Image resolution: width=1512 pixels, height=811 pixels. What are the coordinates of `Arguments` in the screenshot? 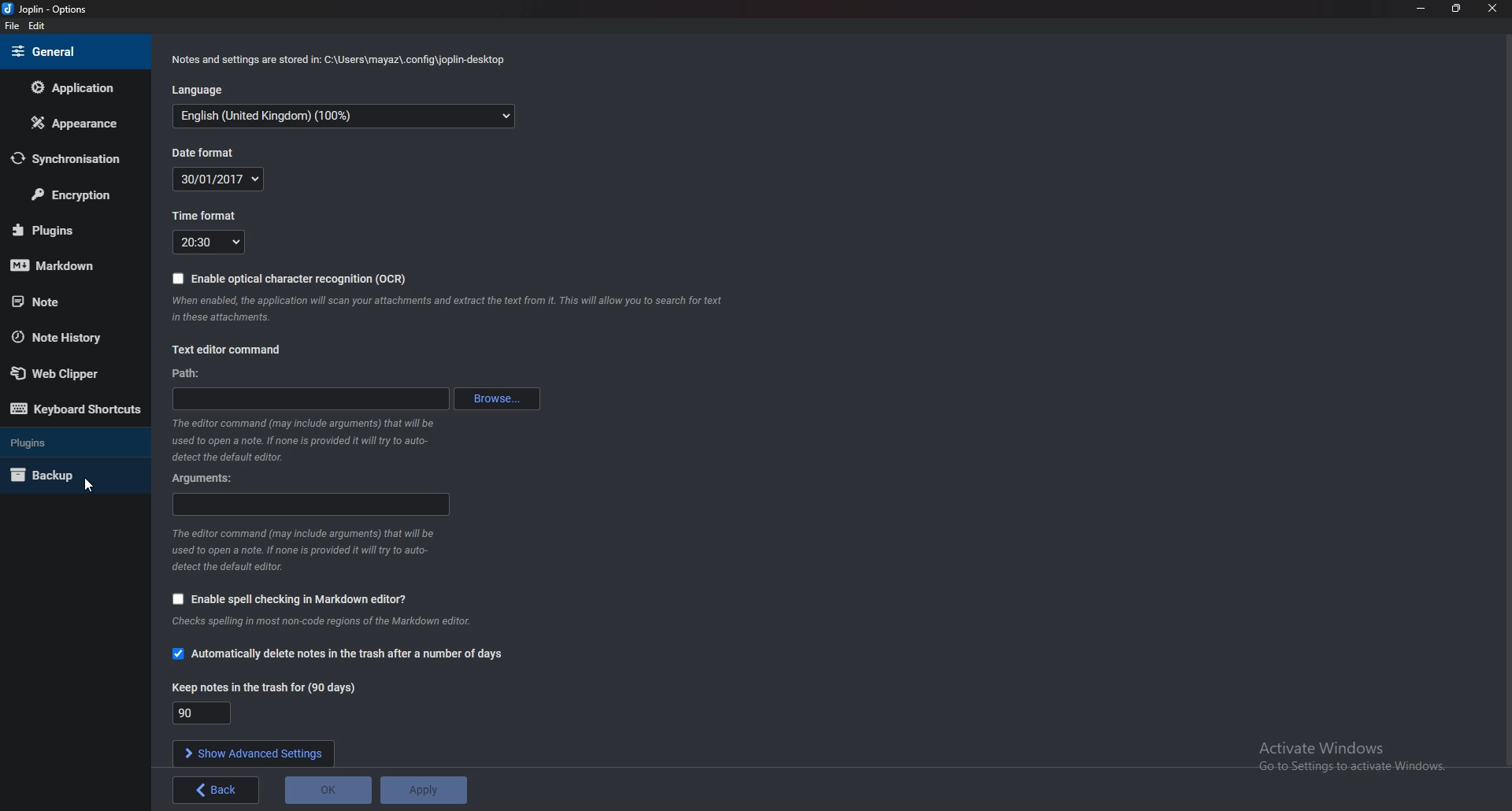 It's located at (208, 478).